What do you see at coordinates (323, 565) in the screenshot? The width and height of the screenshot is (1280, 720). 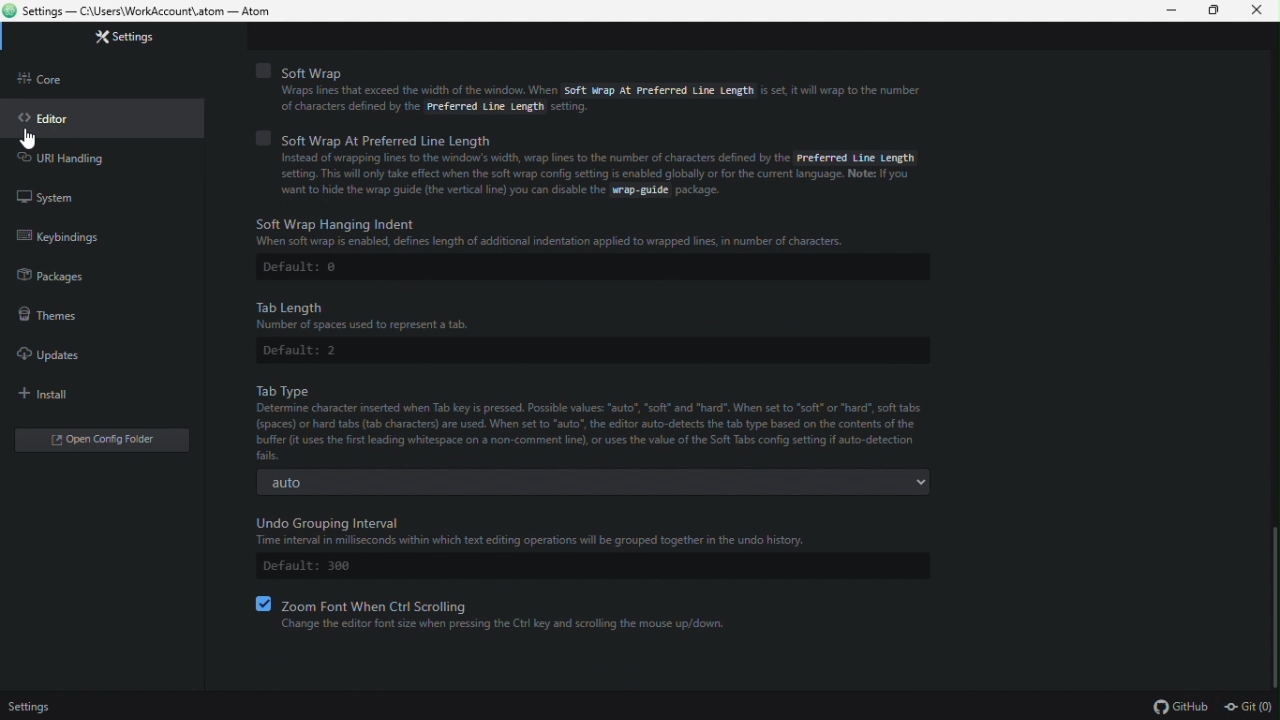 I see `Default: 300` at bounding box center [323, 565].